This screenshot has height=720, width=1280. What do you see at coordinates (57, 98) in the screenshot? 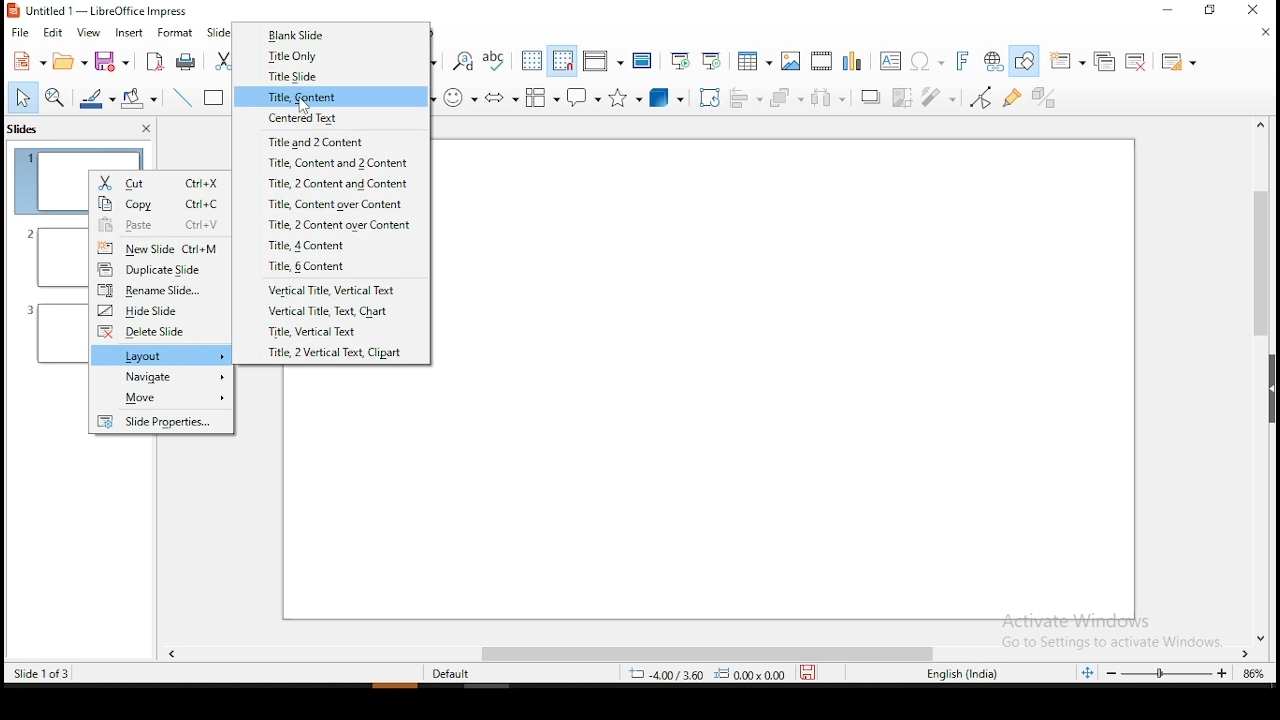
I see `zoom and pan` at bounding box center [57, 98].